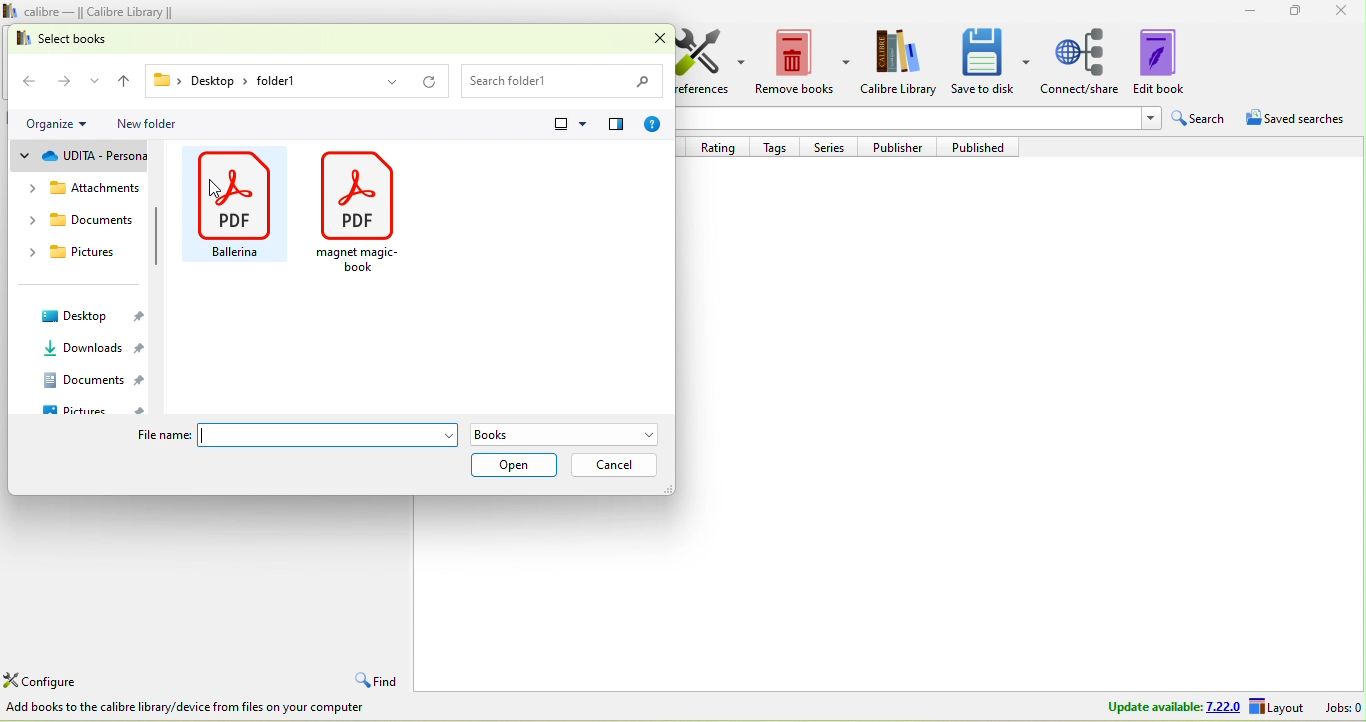 This screenshot has height=722, width=1366. I want to click on search folder 1, so click(568, 79).